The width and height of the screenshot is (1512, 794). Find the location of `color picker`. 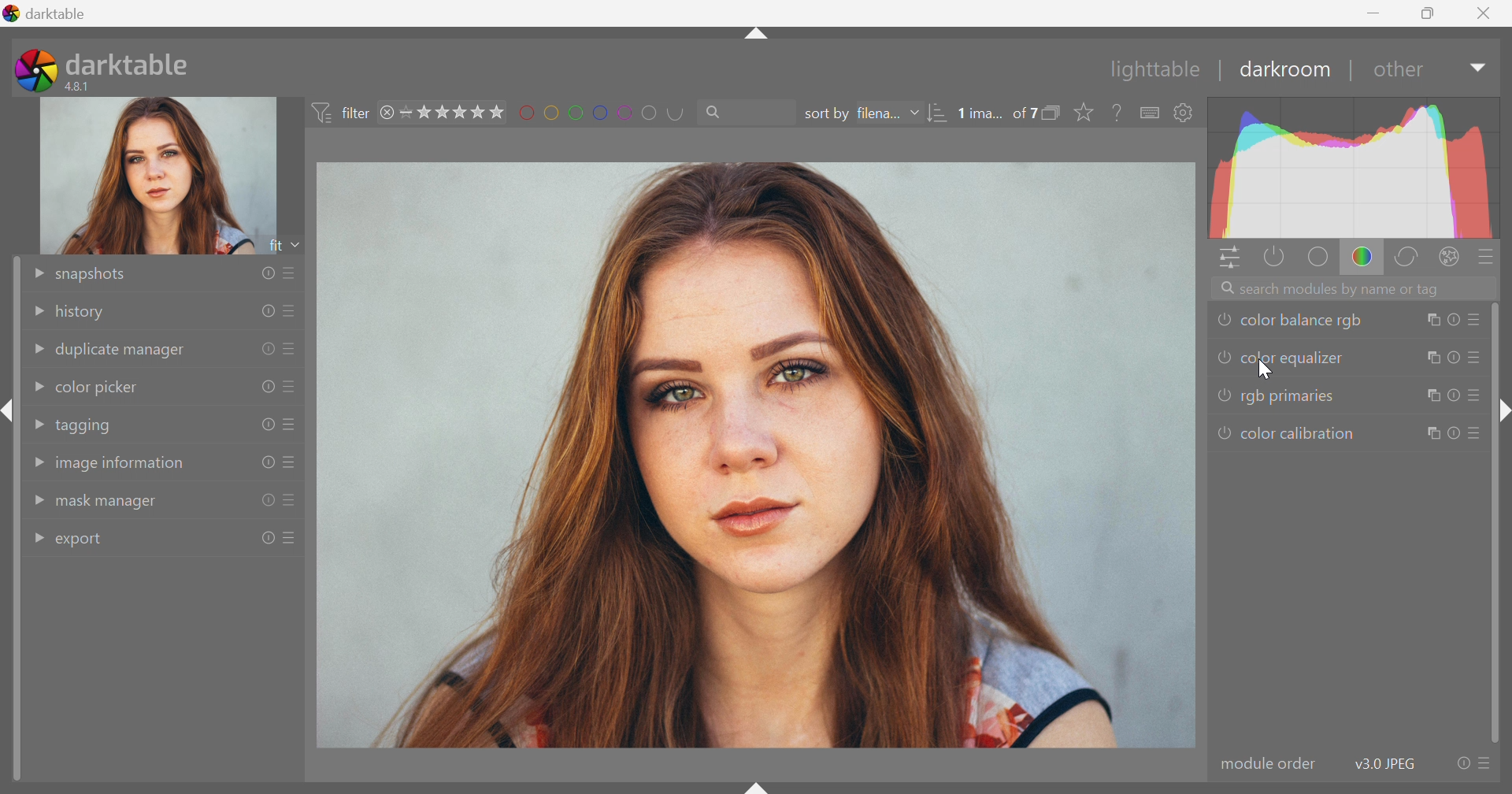

color picker is located at coordinates (98, 386).